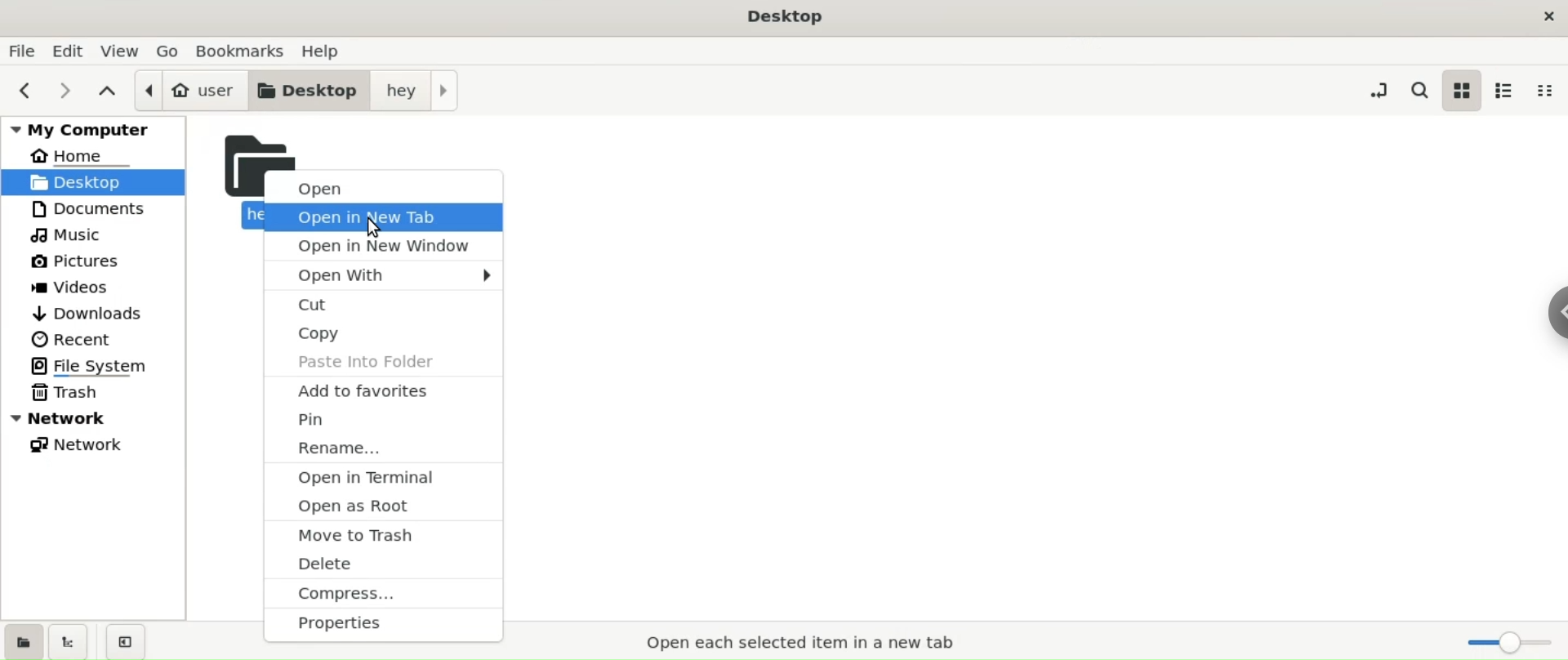  What do you see at coordinates (383, 276) in the screenshot?
I see `open with` at bounding box center [383, 276].